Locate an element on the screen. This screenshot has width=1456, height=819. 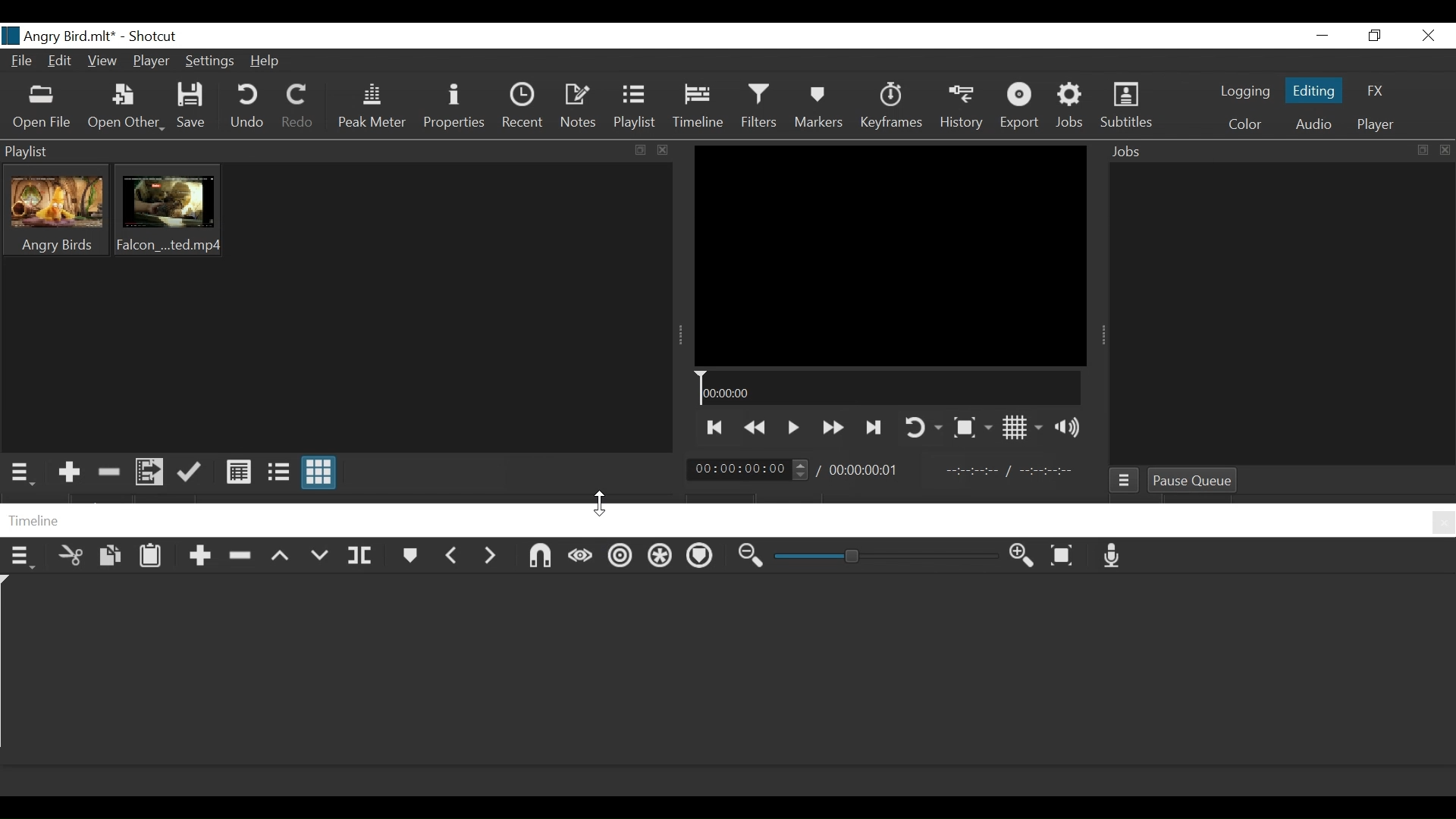
Jobs  is located at coordinates (1123, 480).